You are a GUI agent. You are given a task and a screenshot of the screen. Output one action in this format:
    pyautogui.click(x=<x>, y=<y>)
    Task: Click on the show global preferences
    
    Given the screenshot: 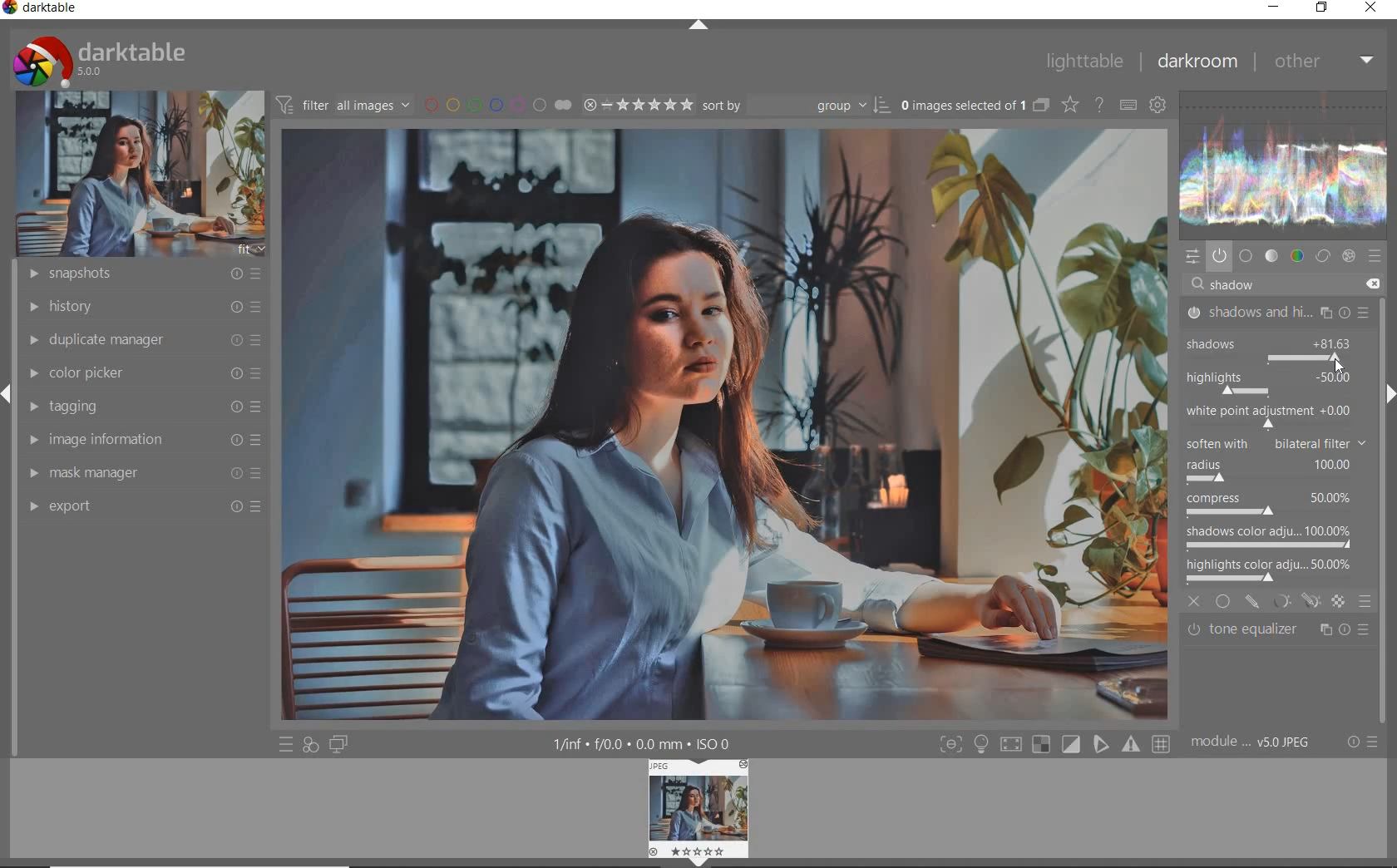 What is the action you would take?
    pyautogui.click(x=1158, y=106)
    